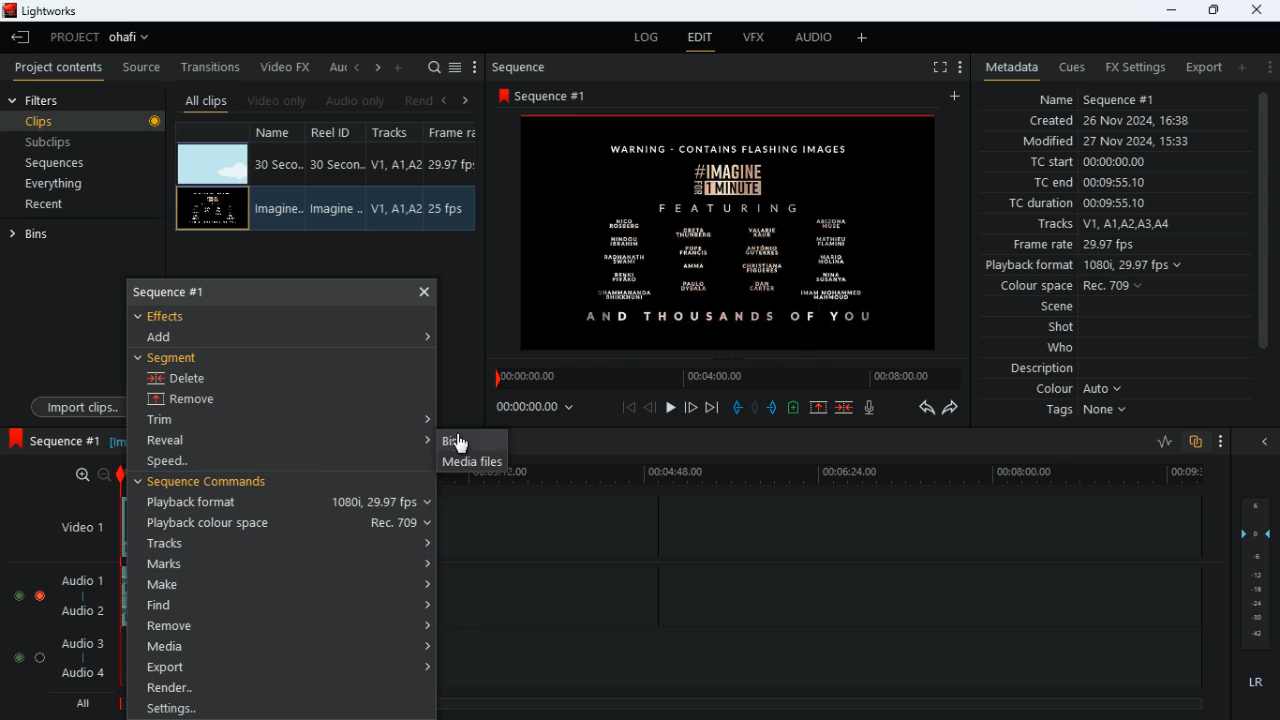  What do you see at coordinates (174, 357) in the screenshot?
I see `segment` at bounding box center [174, 357].